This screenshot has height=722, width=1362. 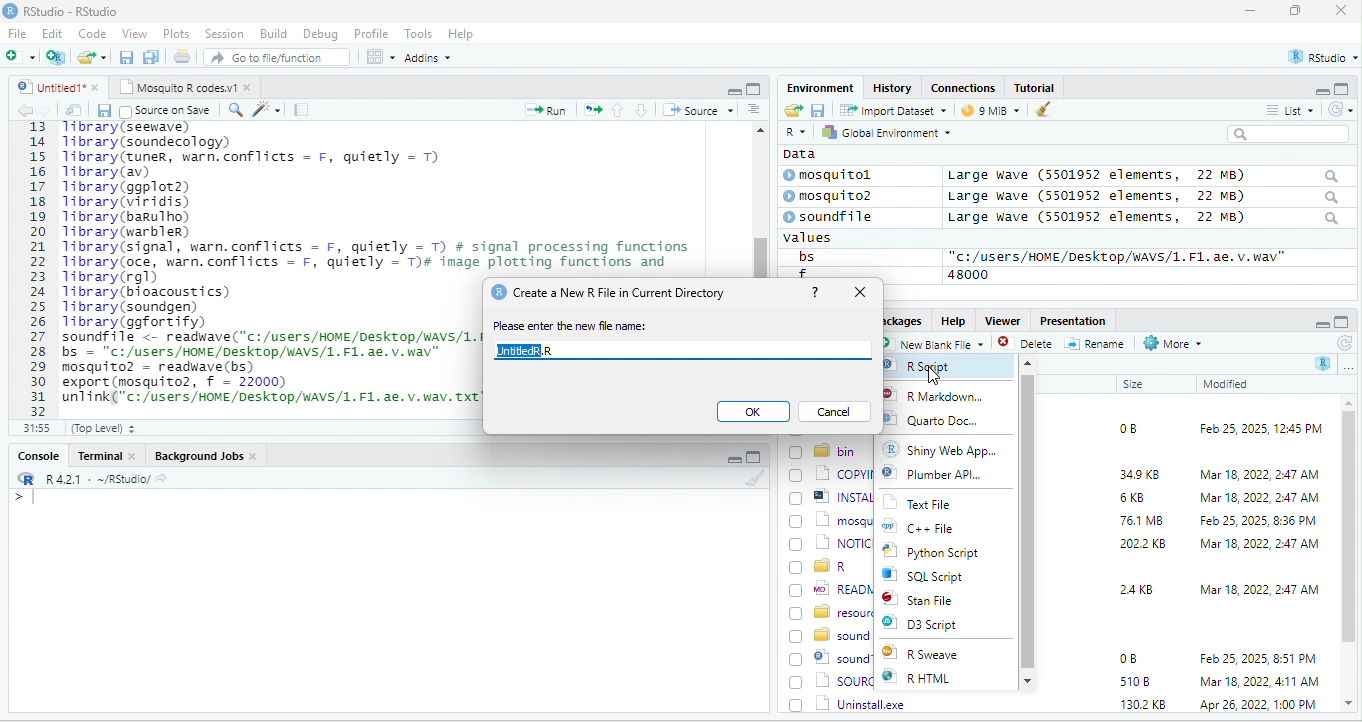 What do you see at coordinates (932, 679) in the screenshot?
I see `RHTML` at bounding box center [932, 679].